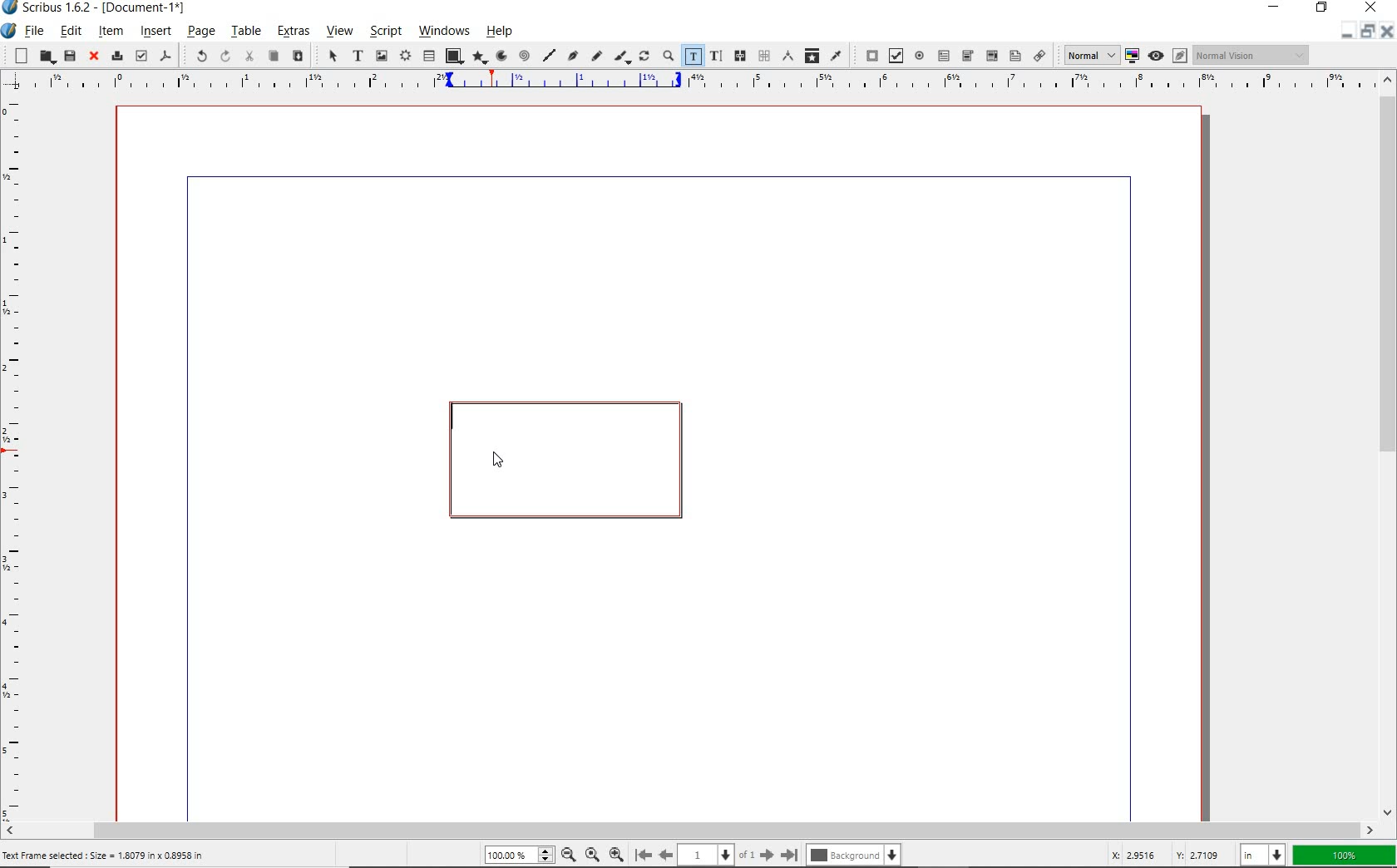 This screenshot has width=1397, height=868. What do you see at coordinates (499, 33) in the screenshot?
I see `help` at bounding box center [499, 33].